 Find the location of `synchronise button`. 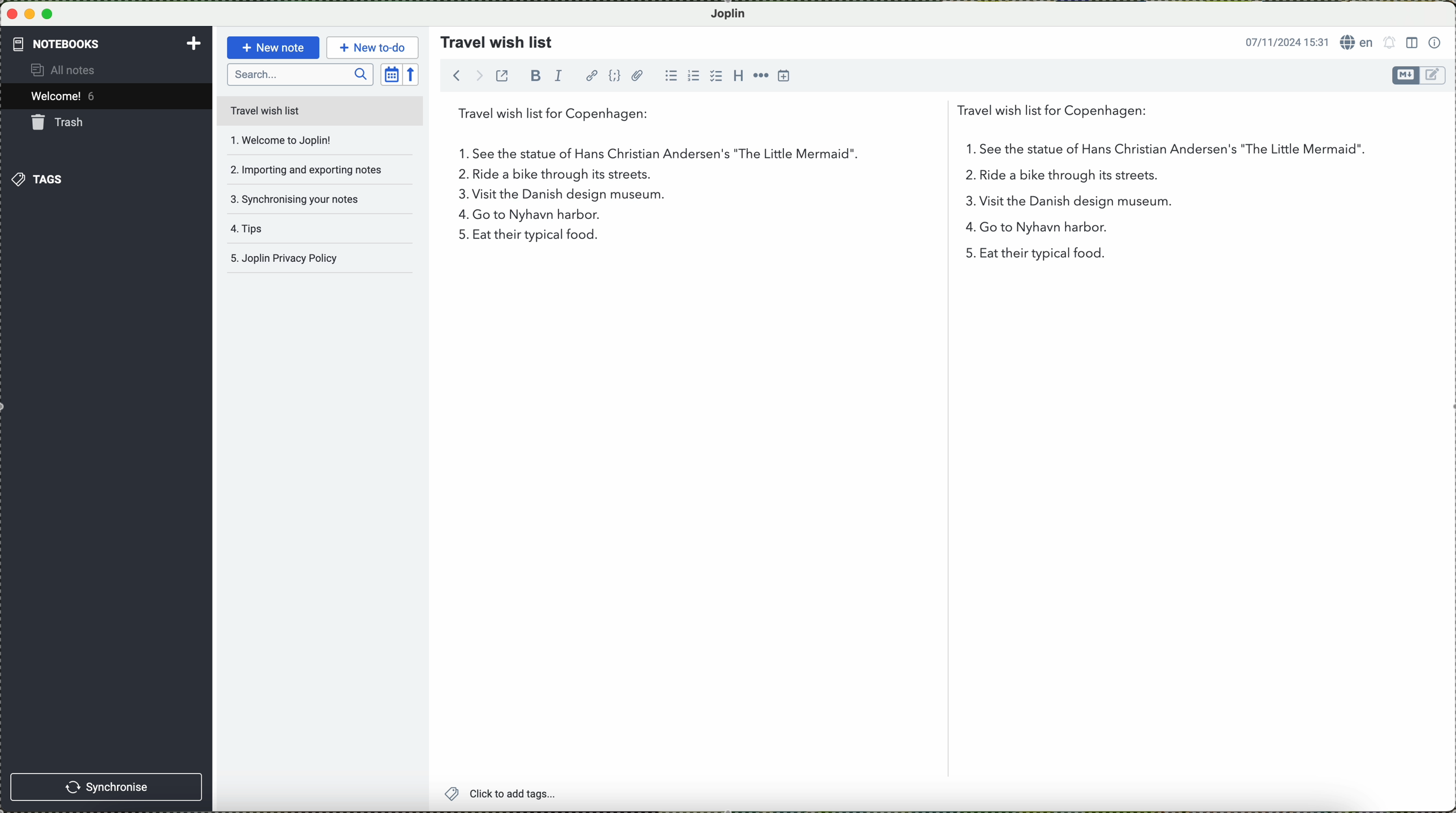

synchronise button is located at coordinates (108, 786).